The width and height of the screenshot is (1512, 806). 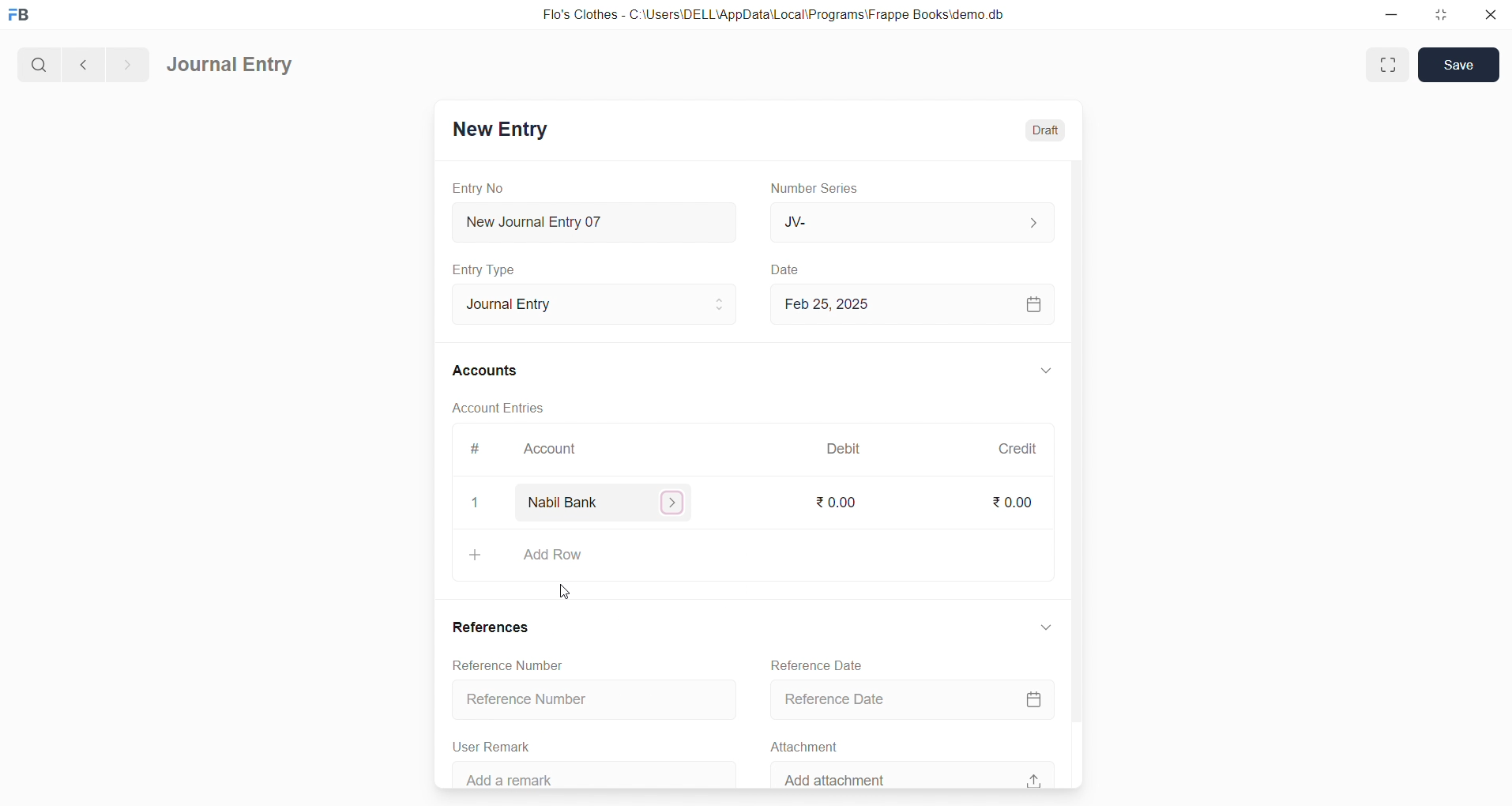 What do you see at coordinates (473, 449) in the screenshot?
I see `#` at bounding box center [473, 449].